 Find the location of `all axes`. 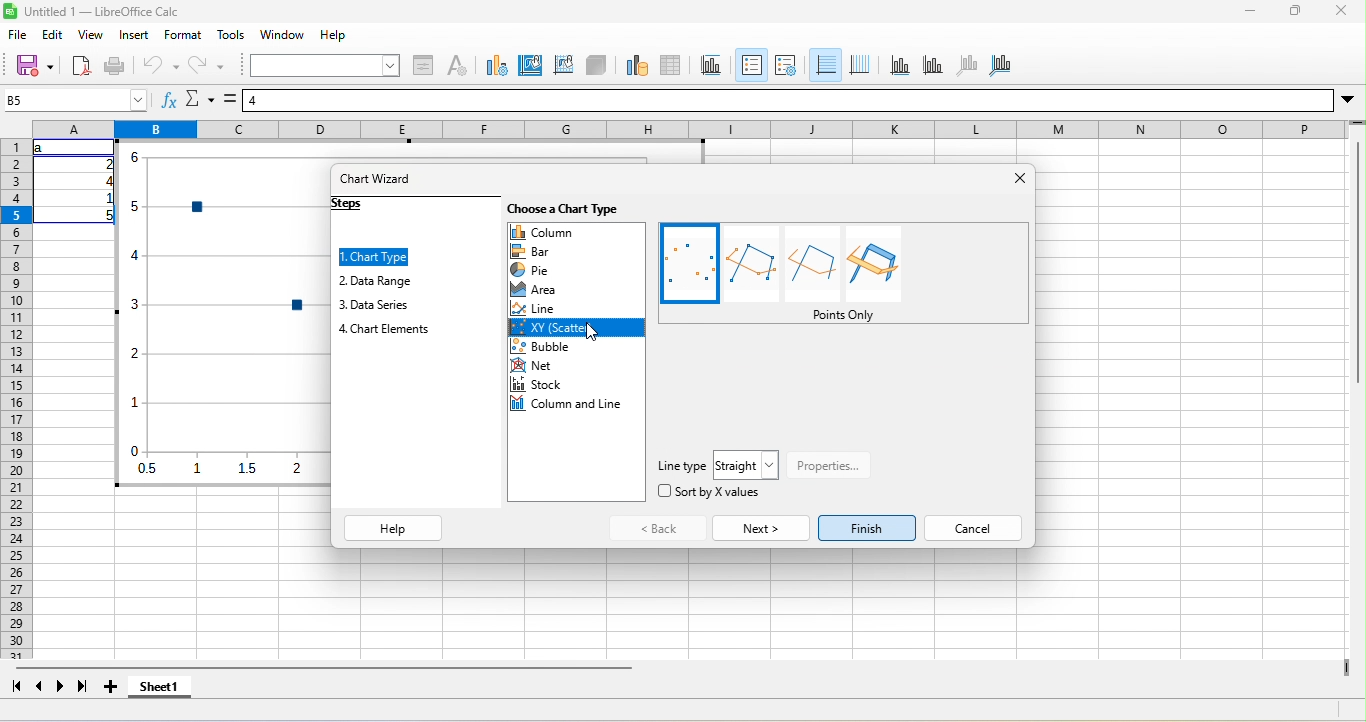

all axes is located at coordinates (1000, 67).